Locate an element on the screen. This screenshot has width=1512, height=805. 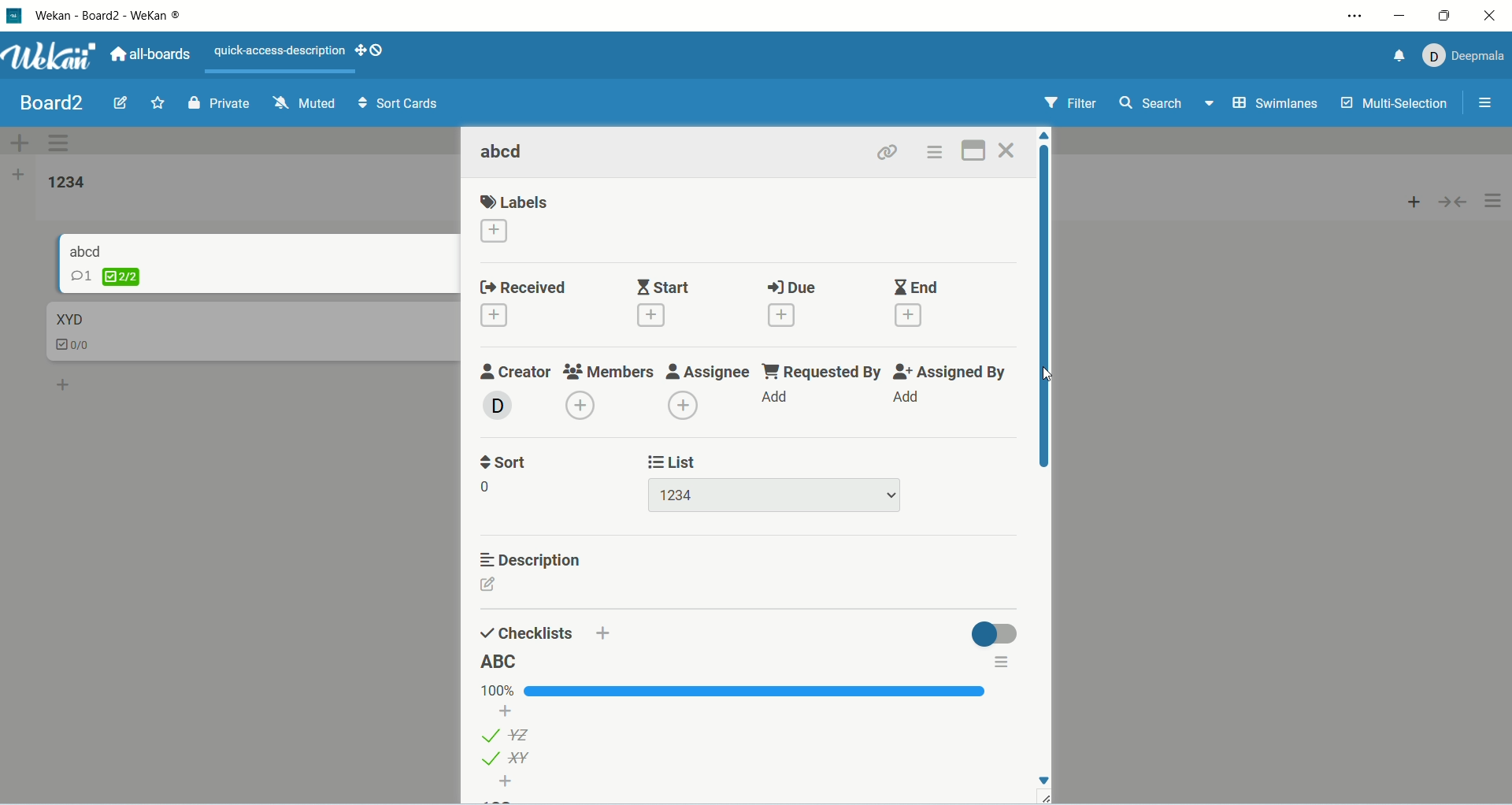
add list is located at coordinates (20, 175).